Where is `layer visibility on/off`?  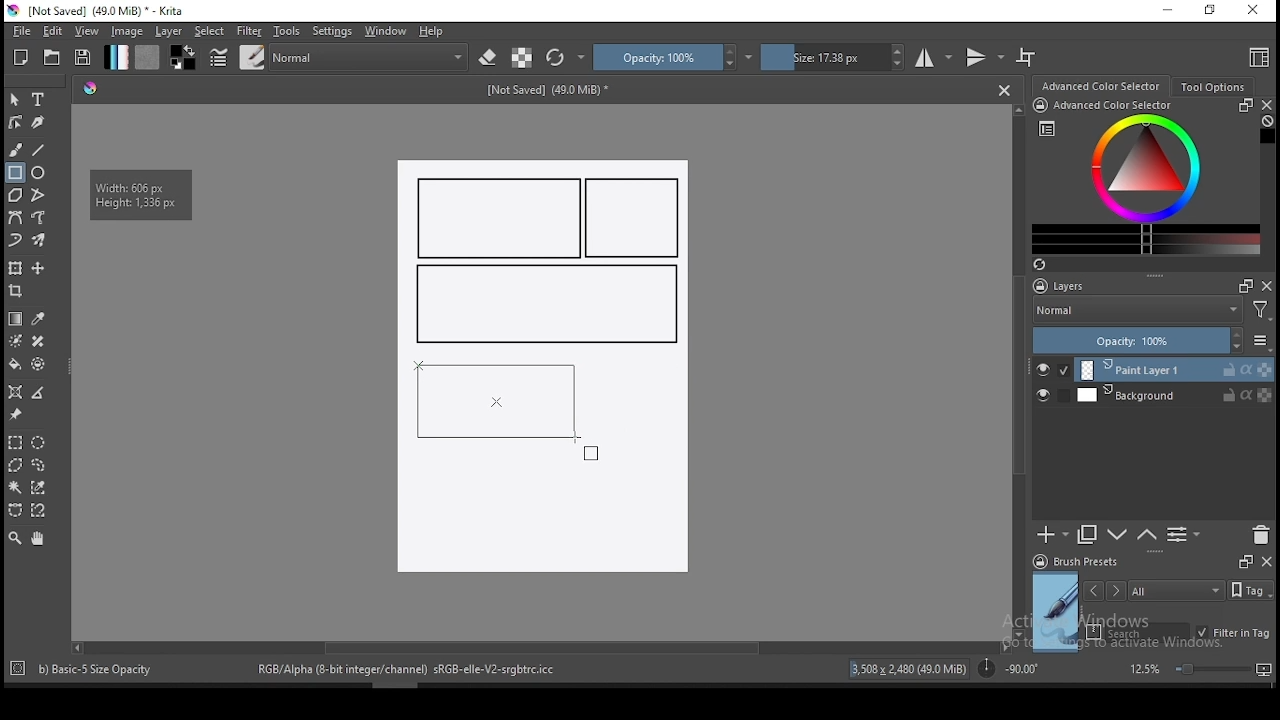 layer visibility on/off is located at coordinates (1048, 397).